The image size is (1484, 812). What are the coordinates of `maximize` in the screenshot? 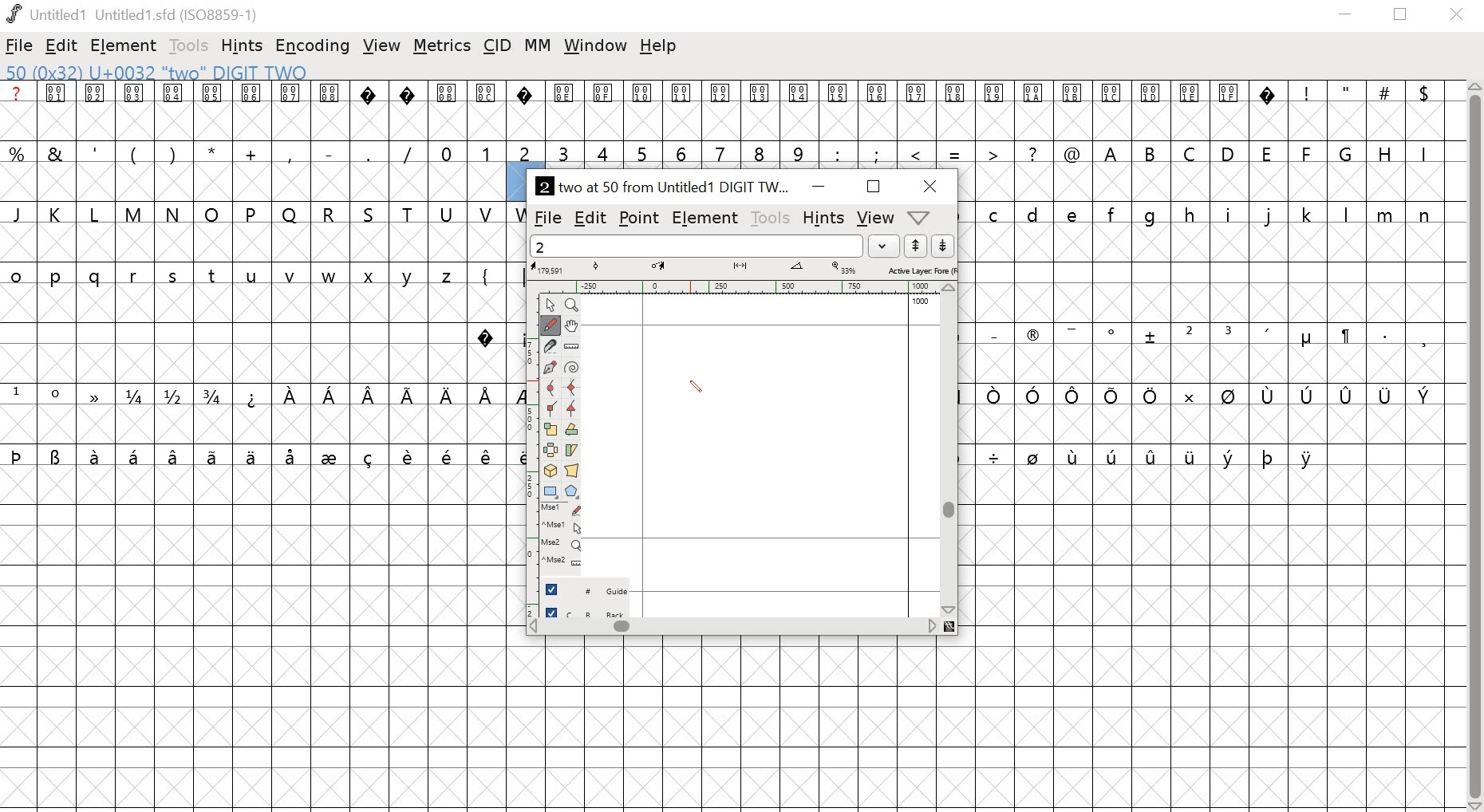 It's located at (874, 187).